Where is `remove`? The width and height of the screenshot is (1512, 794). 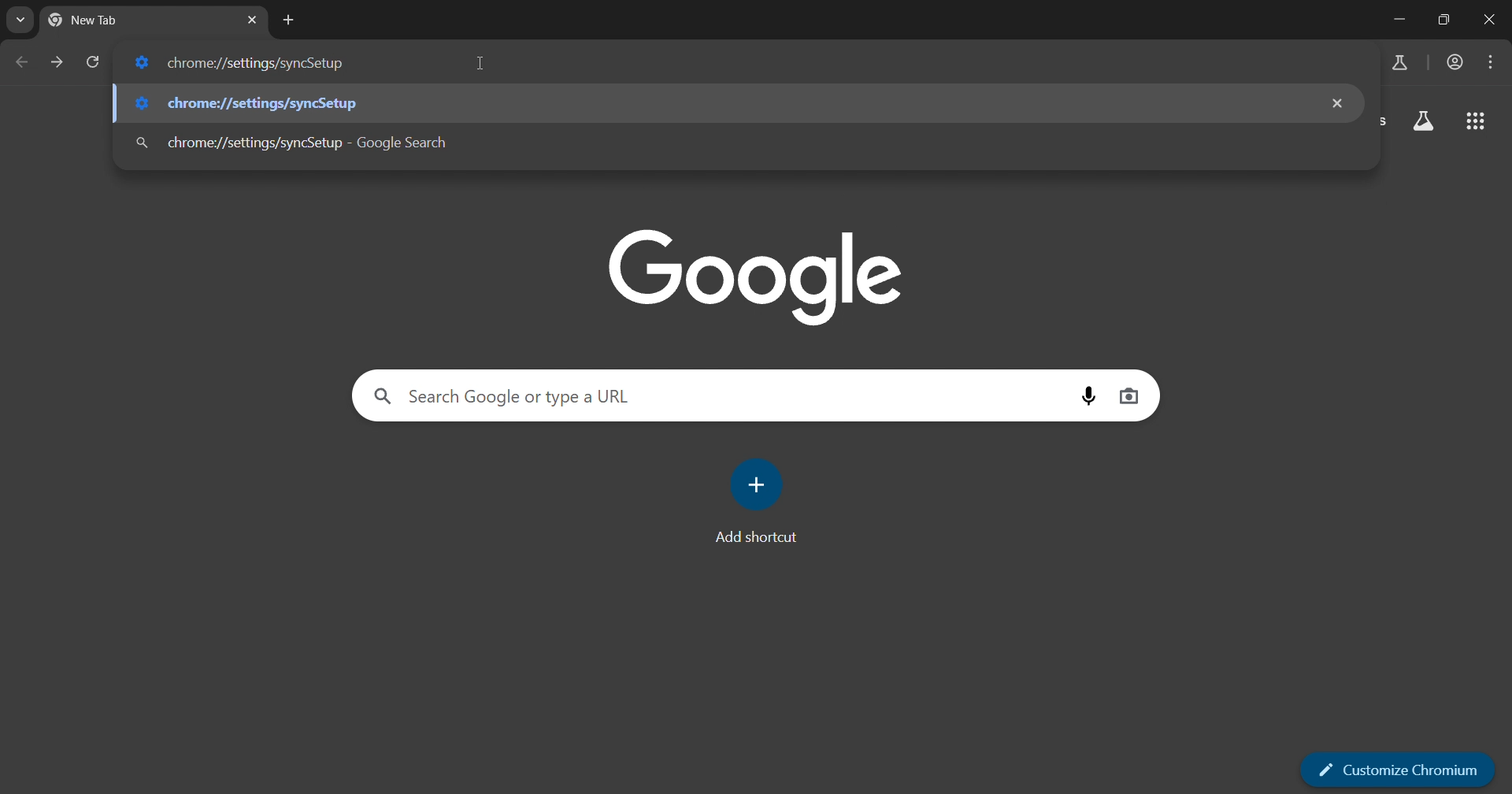 remove is located at coordinates (1492, 21).